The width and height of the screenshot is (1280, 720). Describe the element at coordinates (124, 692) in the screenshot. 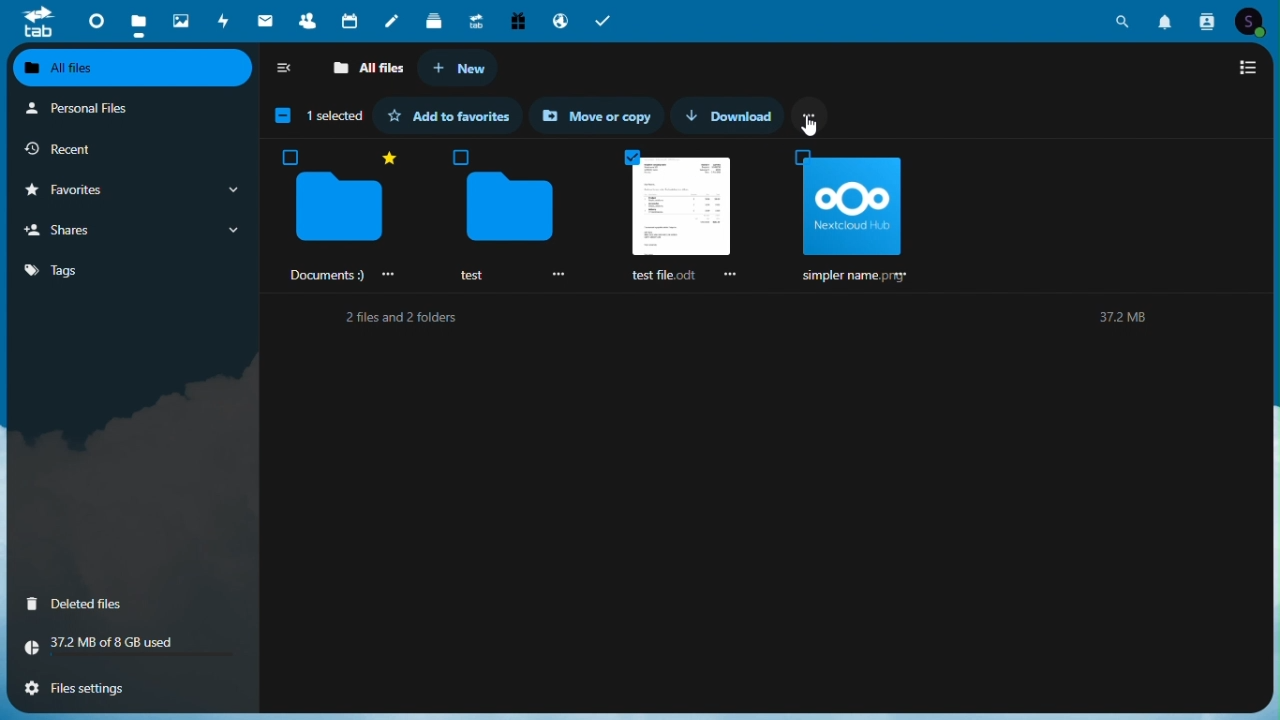

I see `File settings ` at that location.